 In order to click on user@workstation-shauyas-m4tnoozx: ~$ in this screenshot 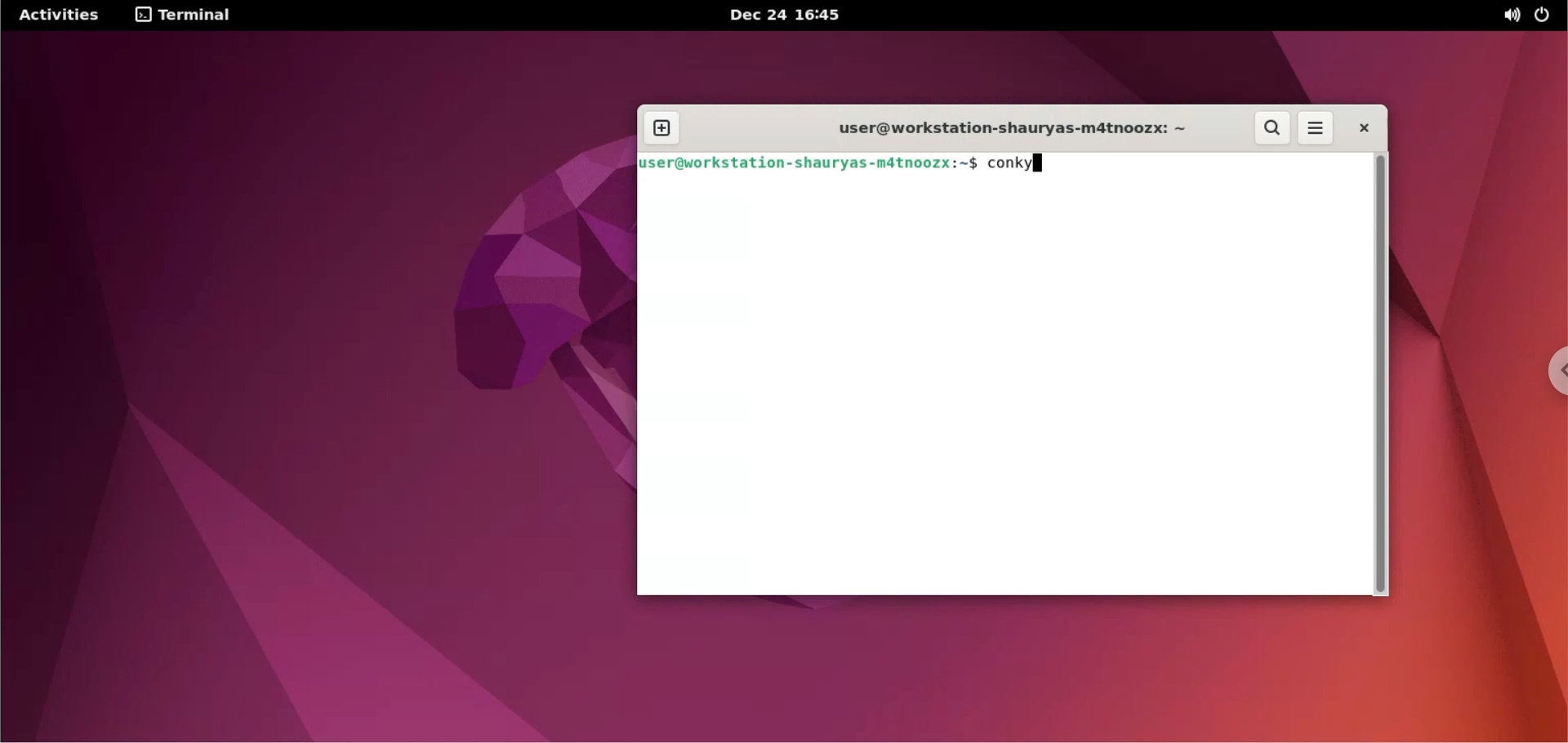, I will do `click(811, 164)`.